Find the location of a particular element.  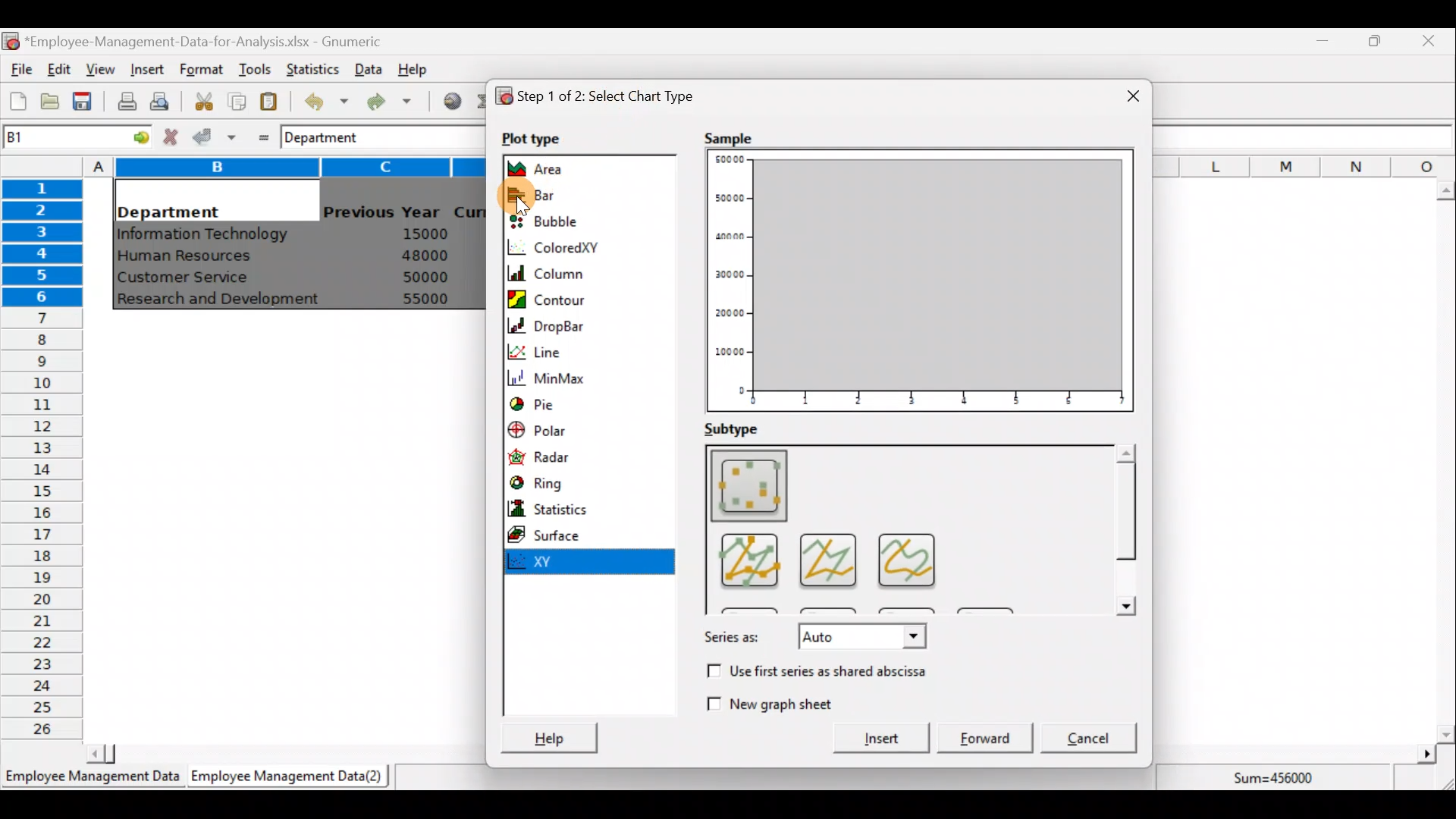

Data is located at coordinates (369, 69).